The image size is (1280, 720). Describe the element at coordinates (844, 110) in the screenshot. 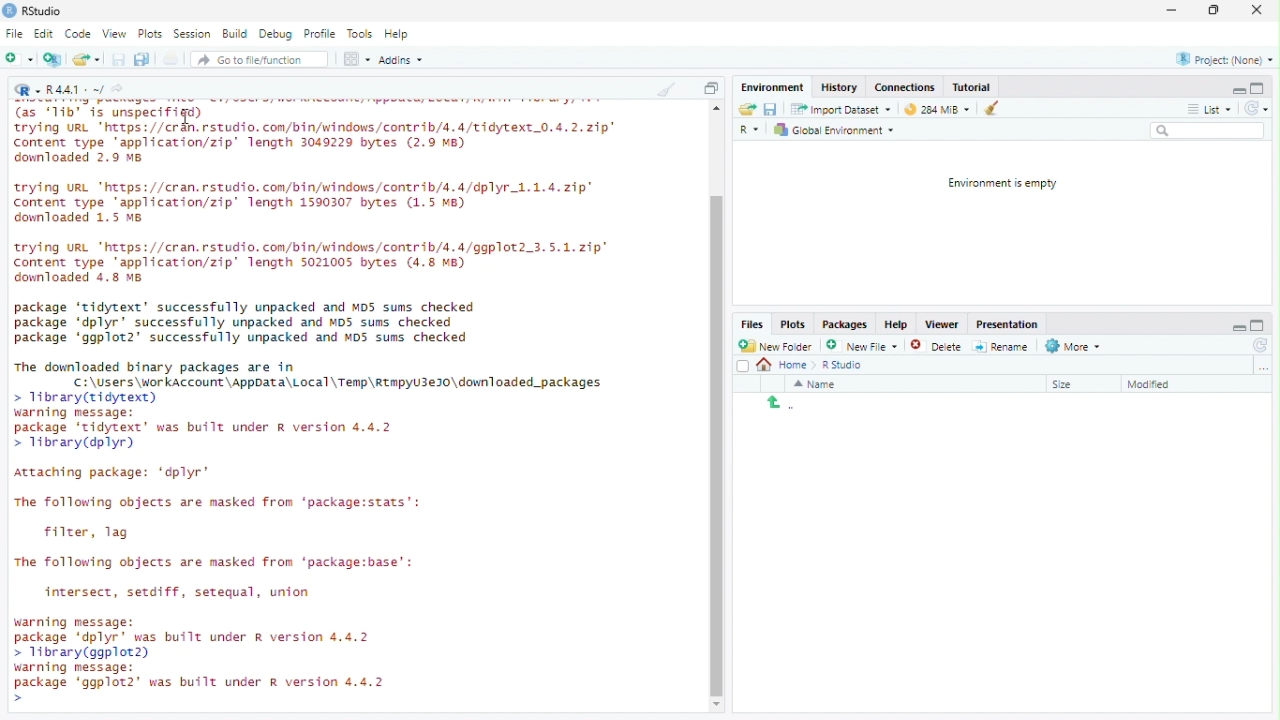

I see `Import Dataset` at that location.